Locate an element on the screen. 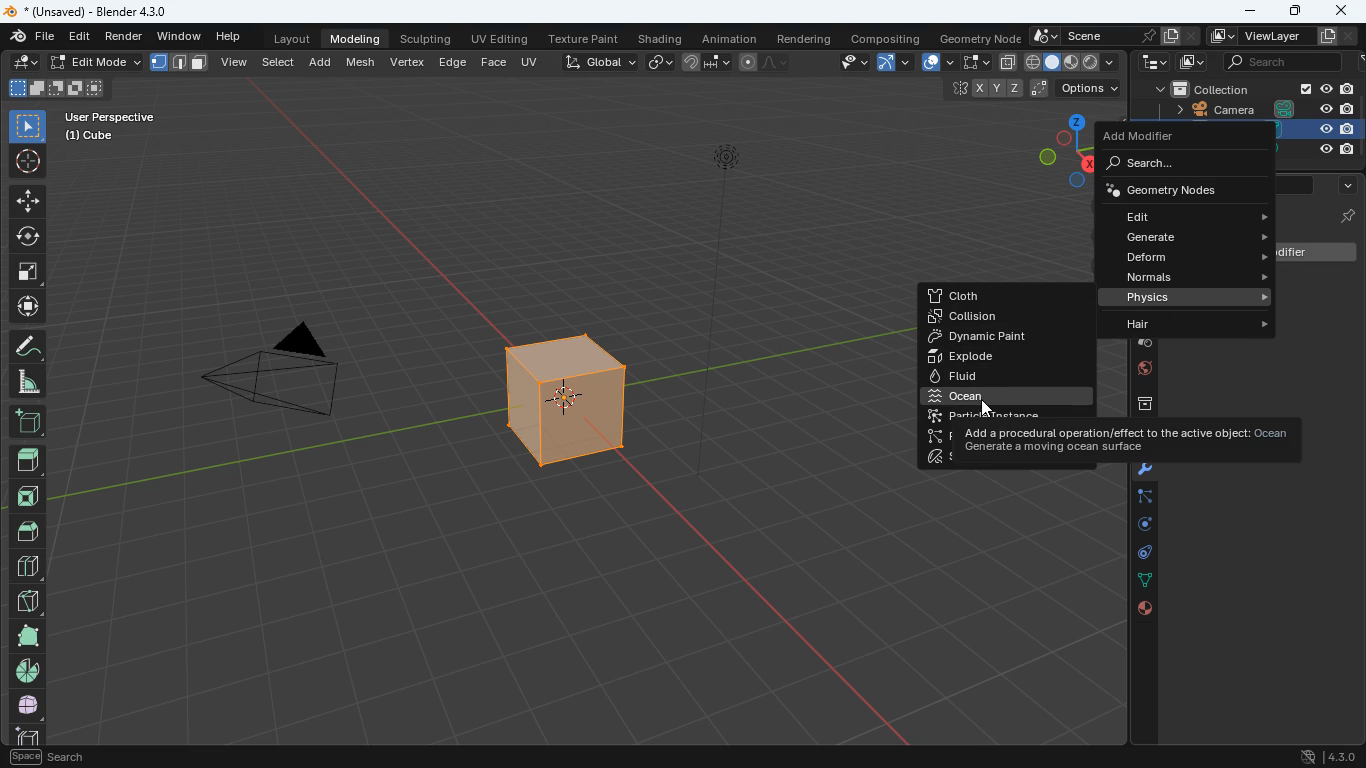  cube is located at coordinates (560, 406).